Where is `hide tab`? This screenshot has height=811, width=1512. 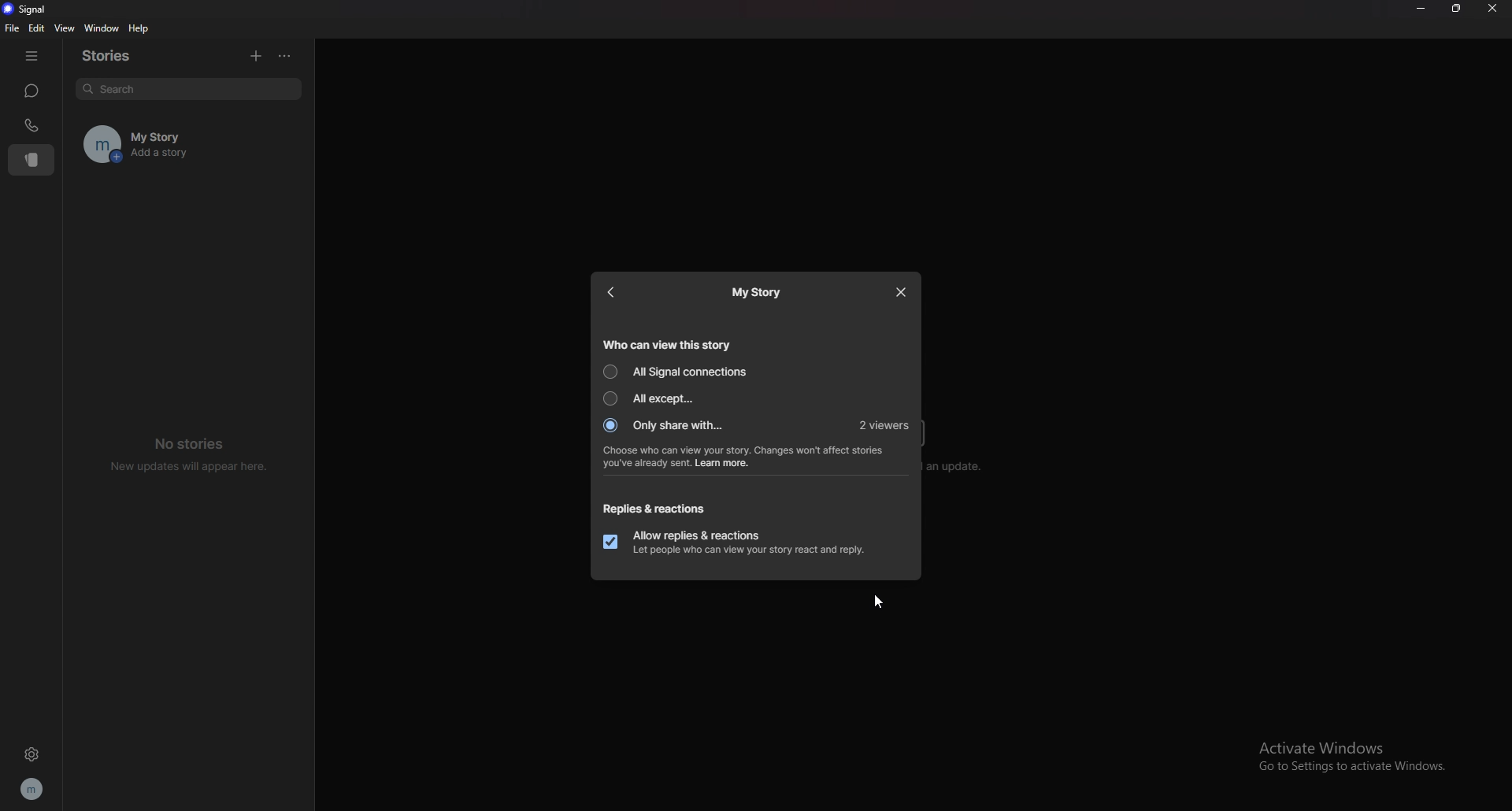 hide tab is located at coordinates (31, 56).